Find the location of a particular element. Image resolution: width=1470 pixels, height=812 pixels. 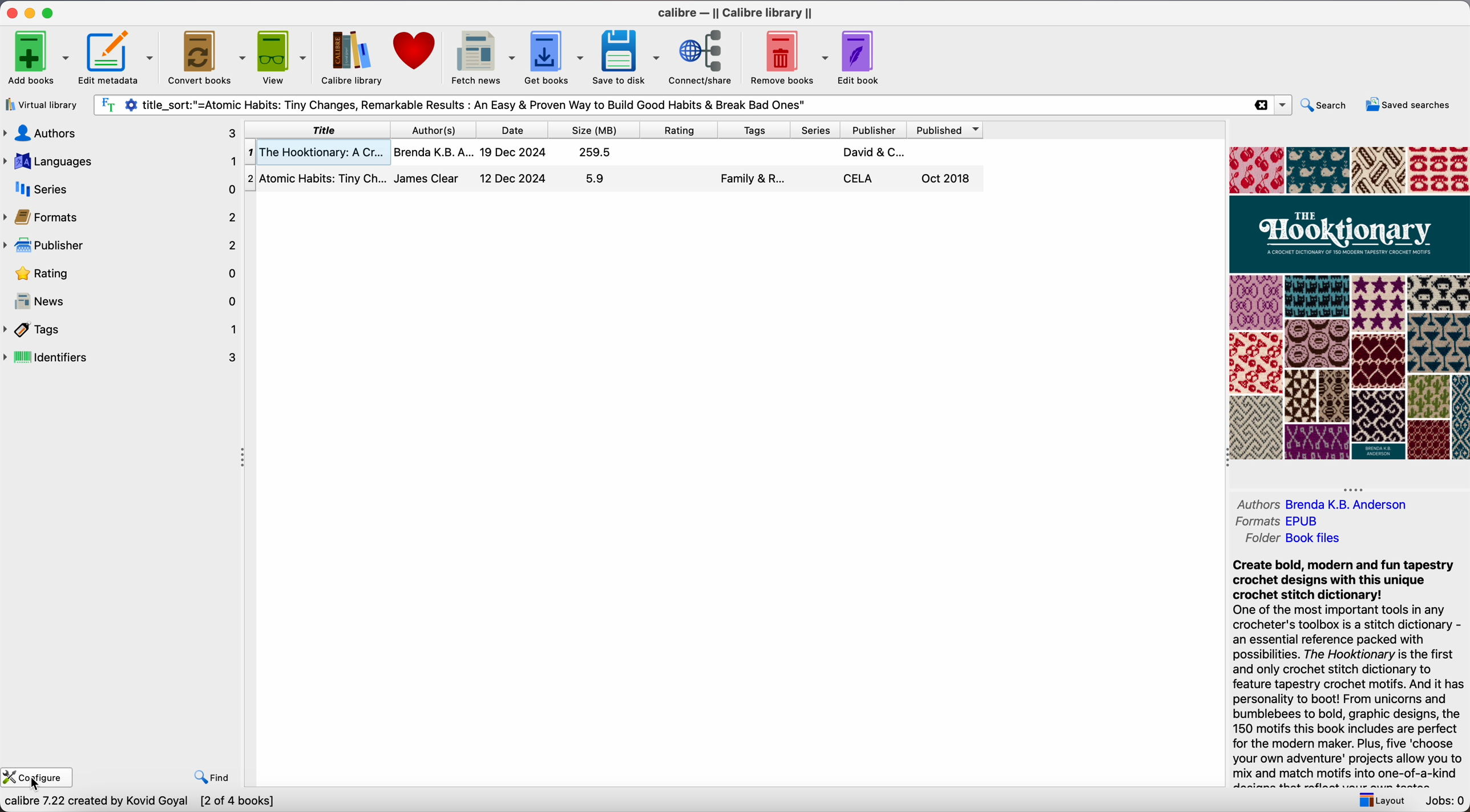

Oct 2018 is located at coordinates (947, 180).